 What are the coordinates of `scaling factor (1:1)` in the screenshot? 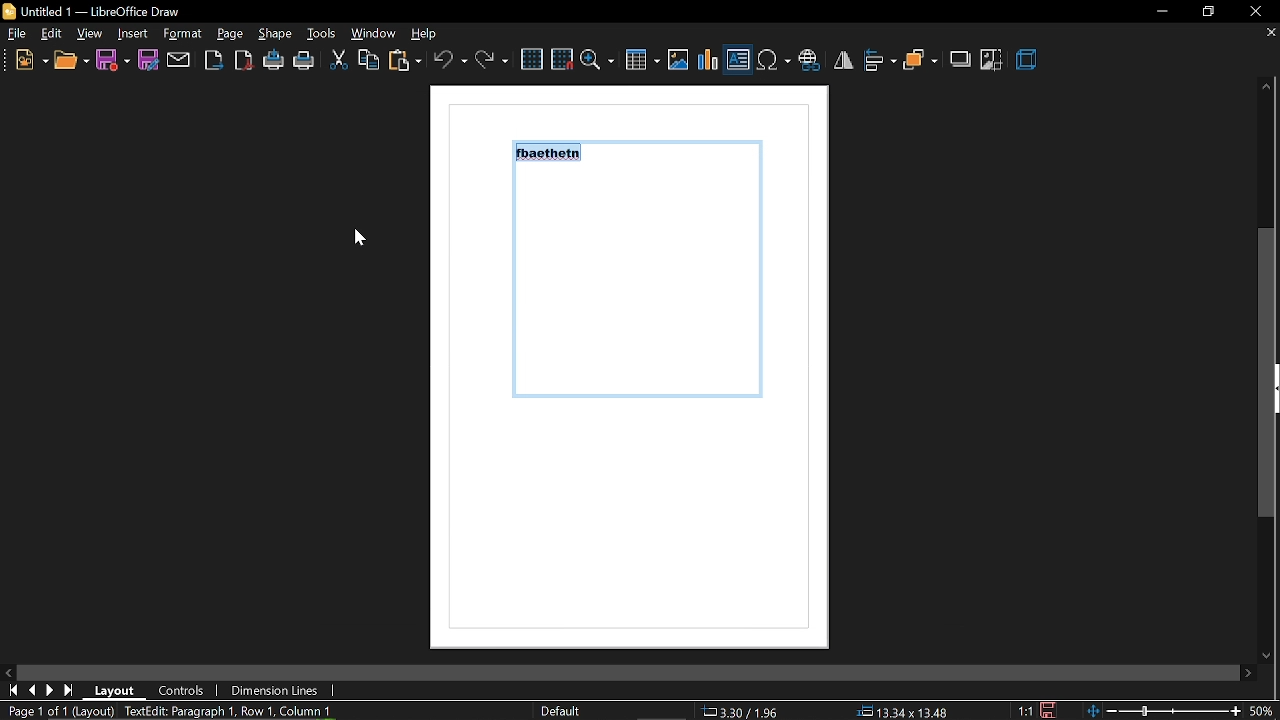 It's located at (1025, 709).